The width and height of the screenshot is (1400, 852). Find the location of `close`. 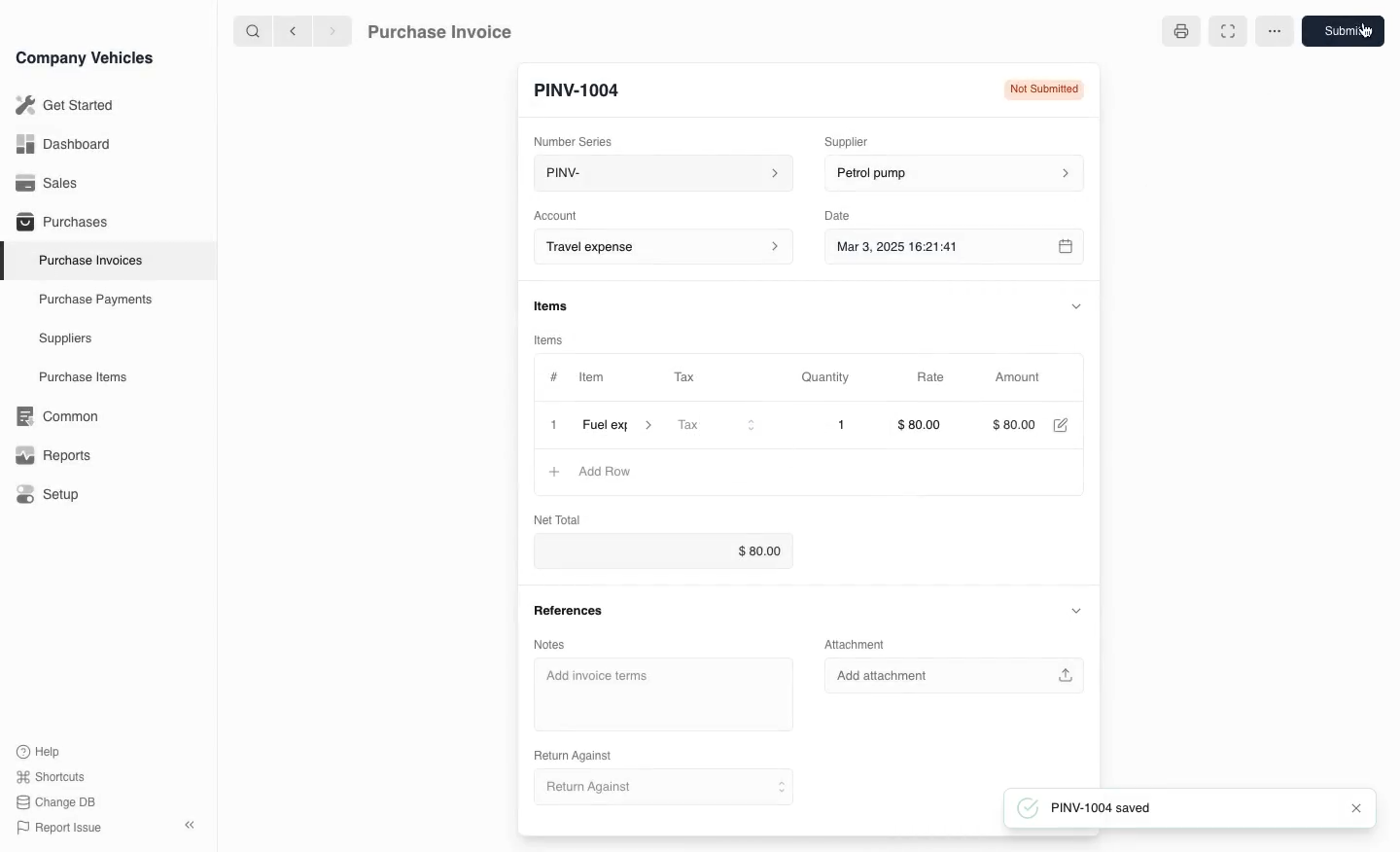

close is located at coordinates (1351, 808).